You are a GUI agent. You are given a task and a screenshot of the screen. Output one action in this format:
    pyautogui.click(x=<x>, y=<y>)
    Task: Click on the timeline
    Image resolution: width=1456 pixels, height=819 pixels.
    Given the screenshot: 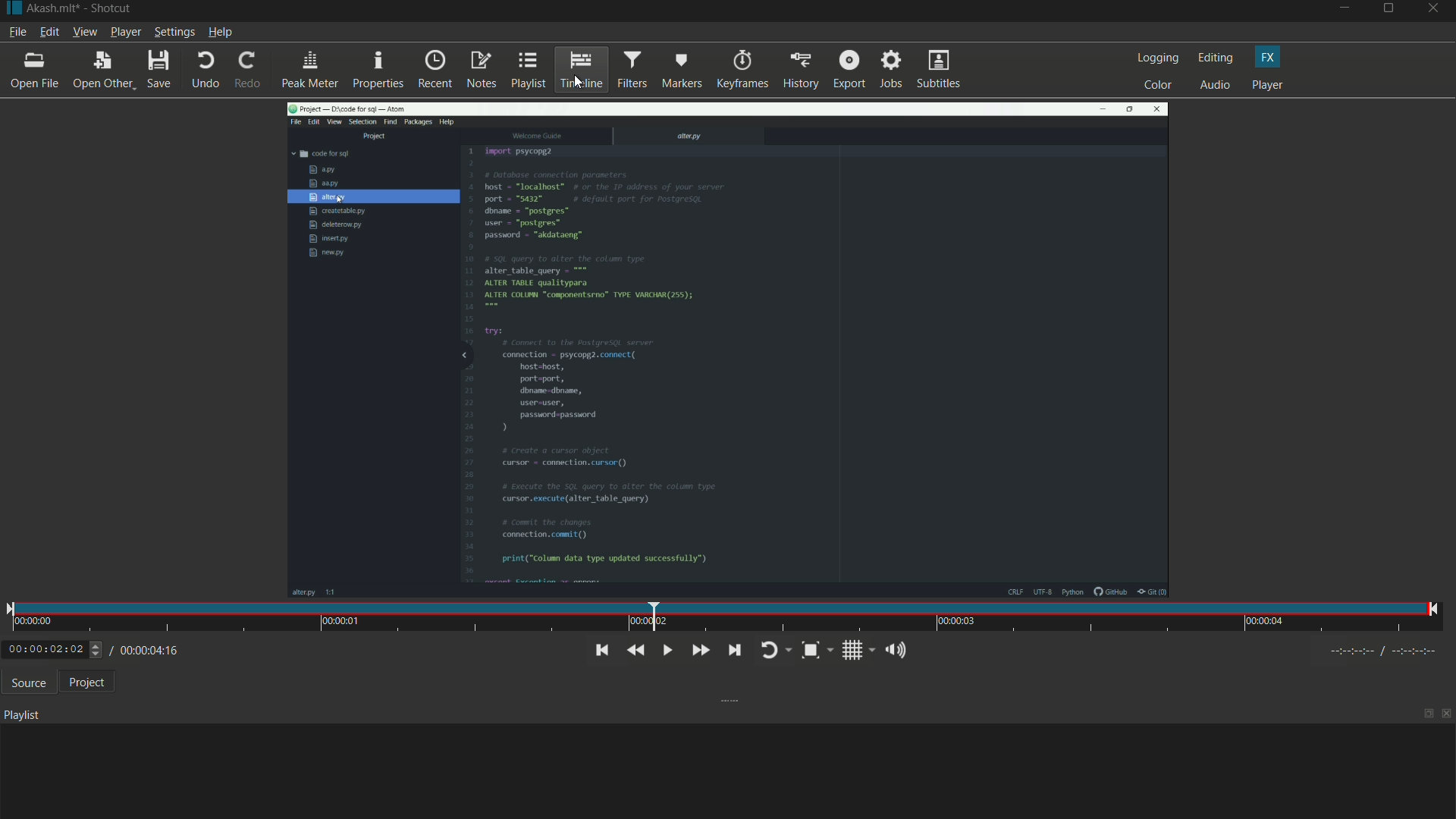 What is the action you would take?
    pyautogui.click(x=581, y=68)
    